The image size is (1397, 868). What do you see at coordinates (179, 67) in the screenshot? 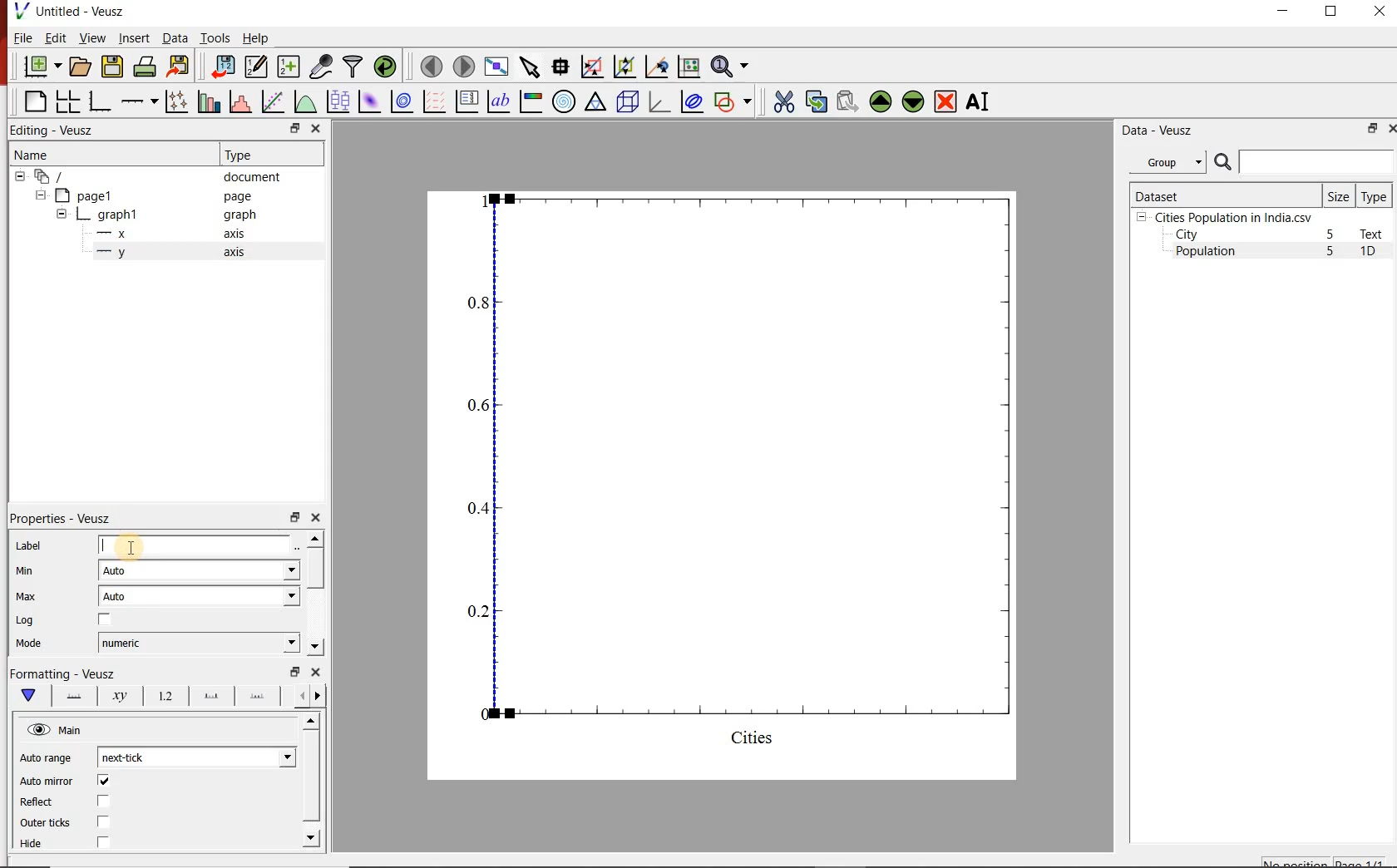
I see `export to graphics format` at bounding box center [179, 67].